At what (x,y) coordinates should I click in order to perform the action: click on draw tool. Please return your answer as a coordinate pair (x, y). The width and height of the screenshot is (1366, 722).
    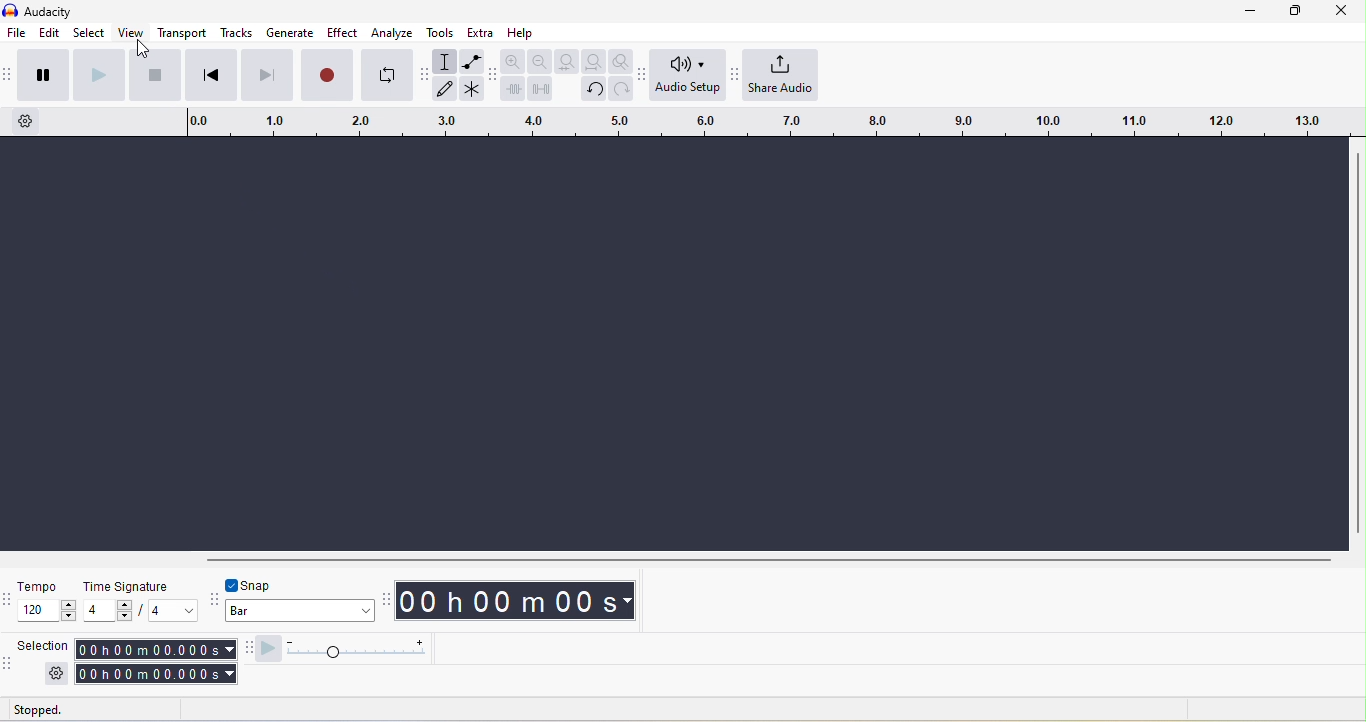
    Looking at the image, I should click on (444, 88).